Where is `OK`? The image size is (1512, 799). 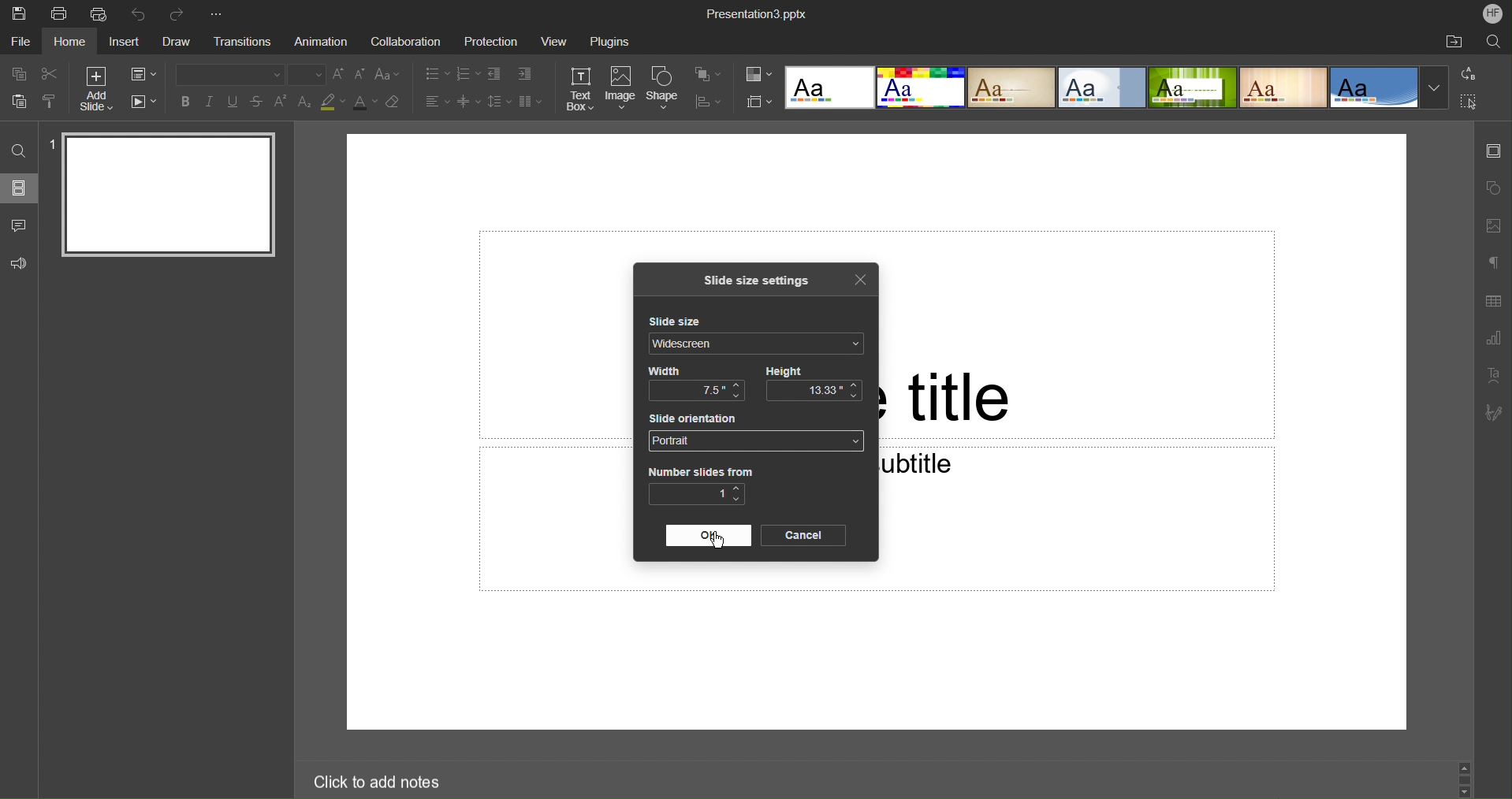 OK is located at coordinates (709, 535).